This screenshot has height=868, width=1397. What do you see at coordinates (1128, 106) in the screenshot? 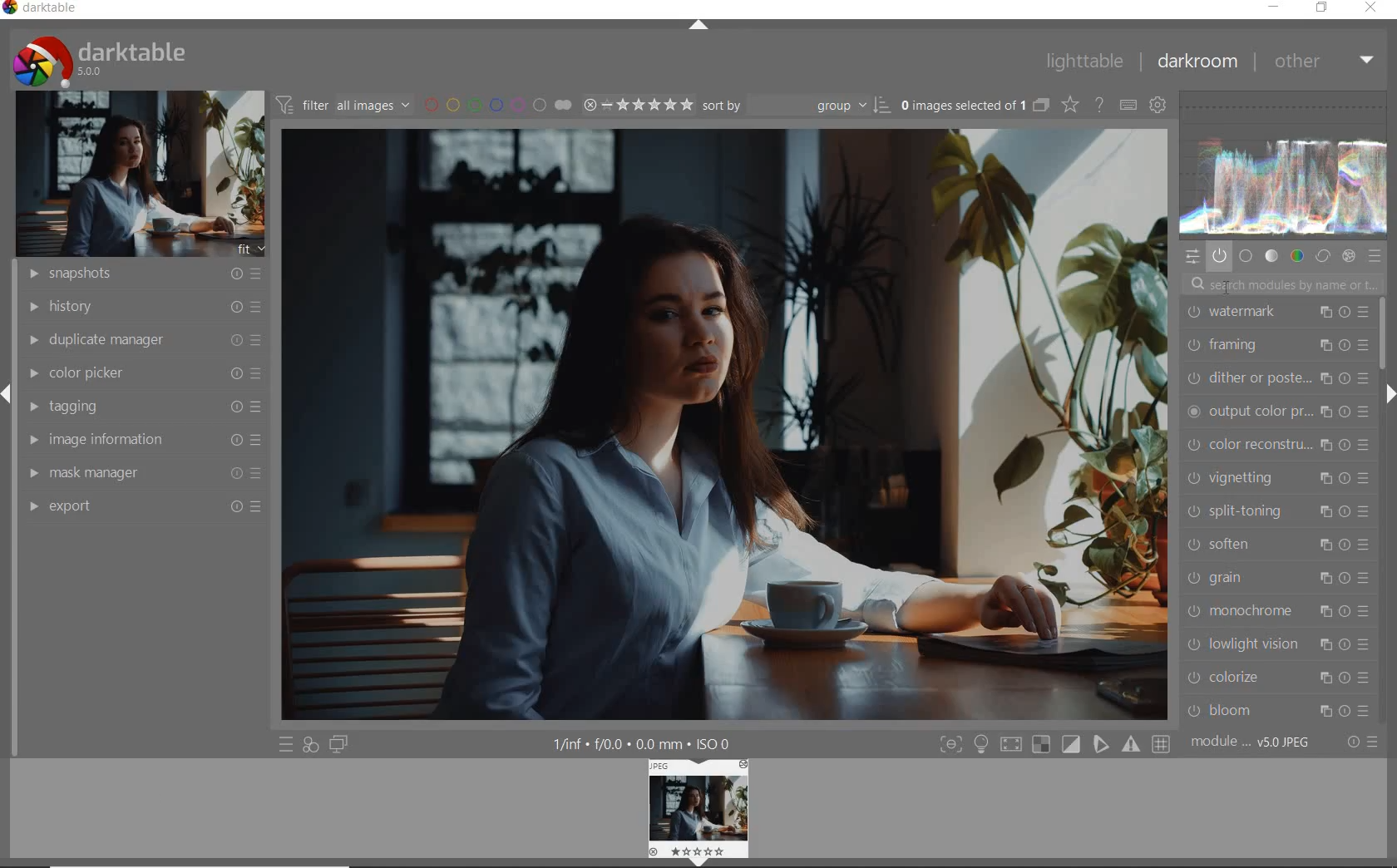
I see `define keyboard shortcuts` at bounding box center [1128, 106].